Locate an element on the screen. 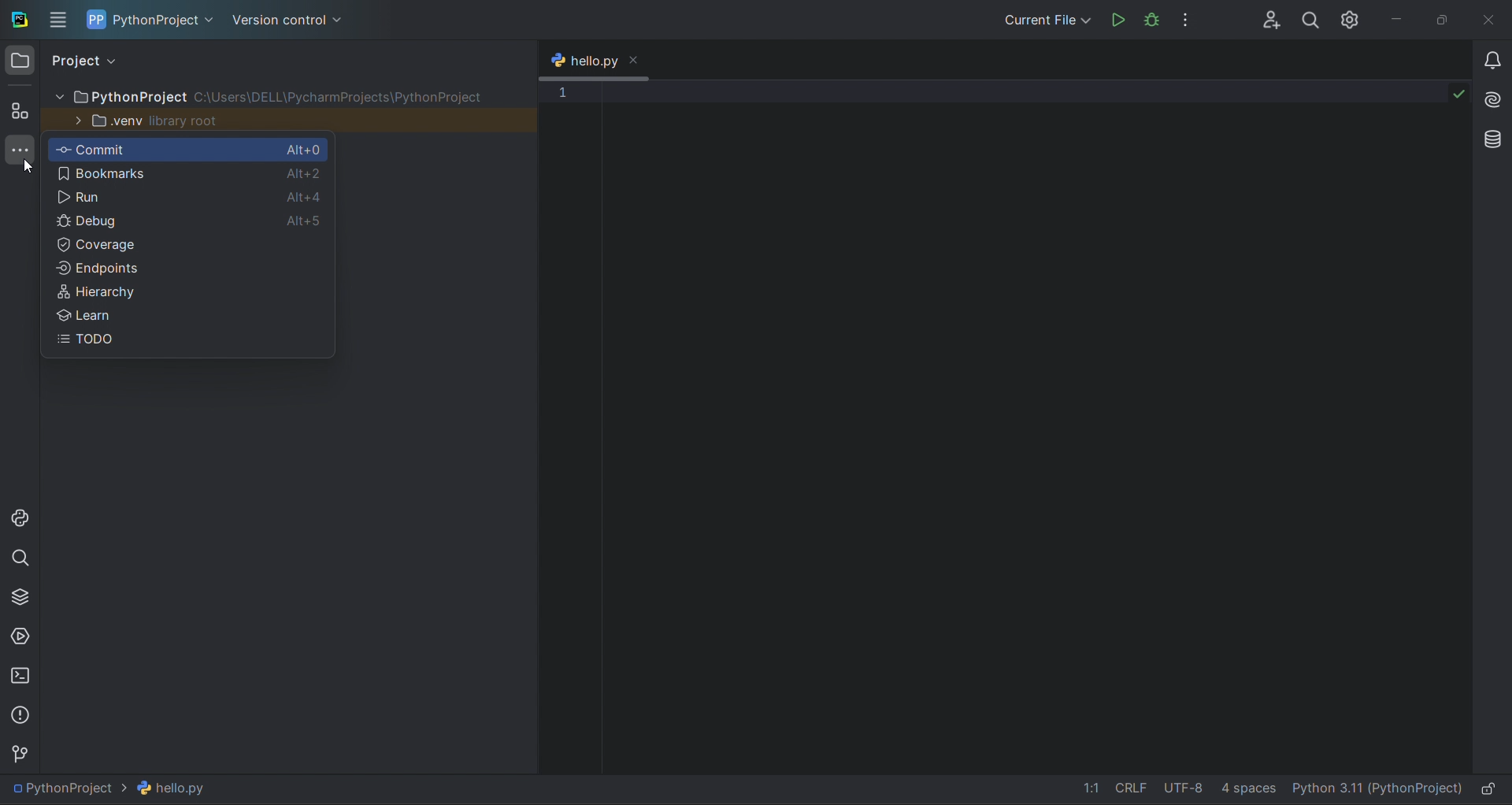 The image size is (1512, 805). run is located at coordinates (154, 198).